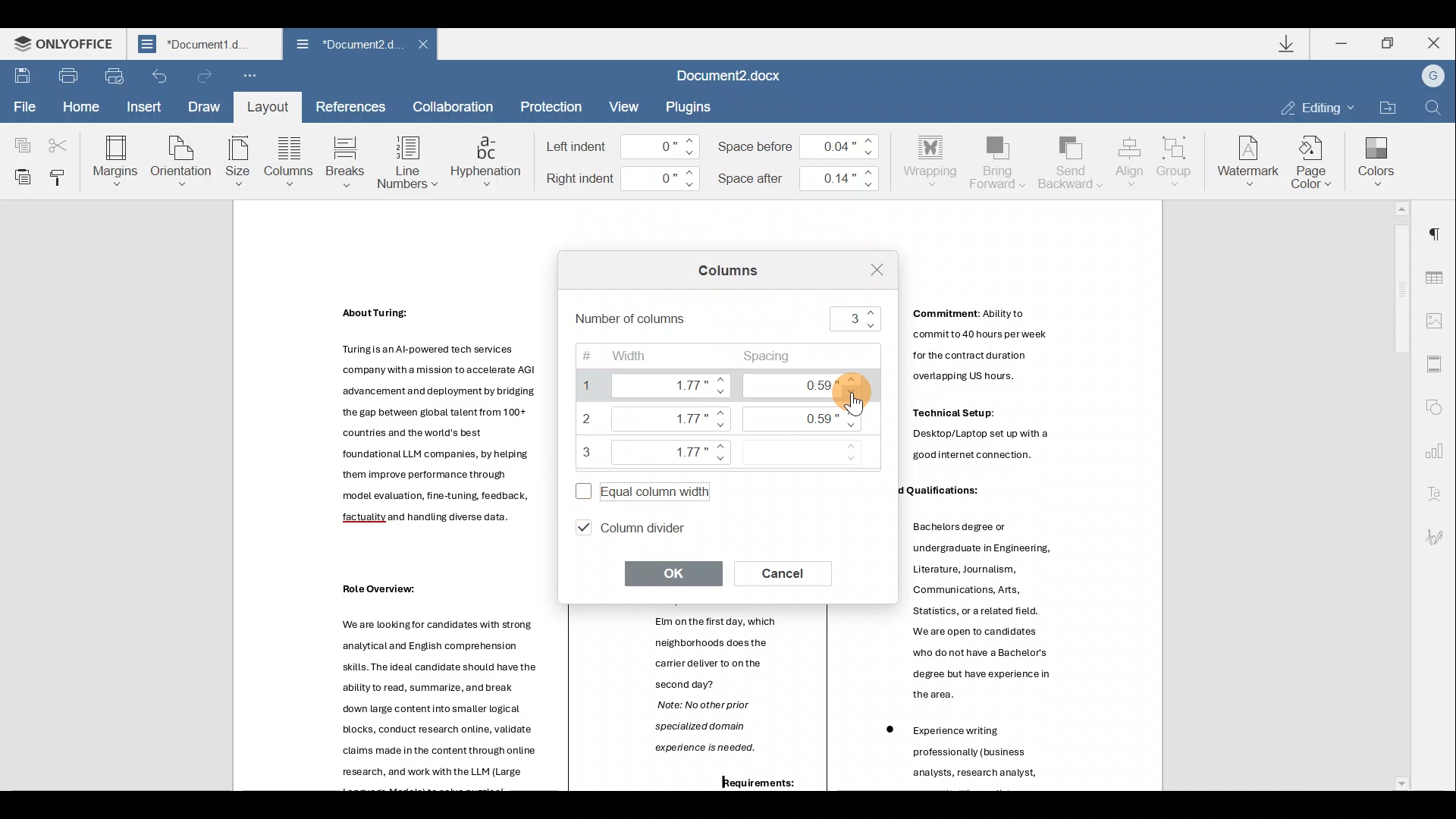 The height and width of the screenshot is (819, 1456). What do you see at coordinates (1441, 228) in the screenshot?
I see `Paragraph settings` at bounding box center [1441, 228].